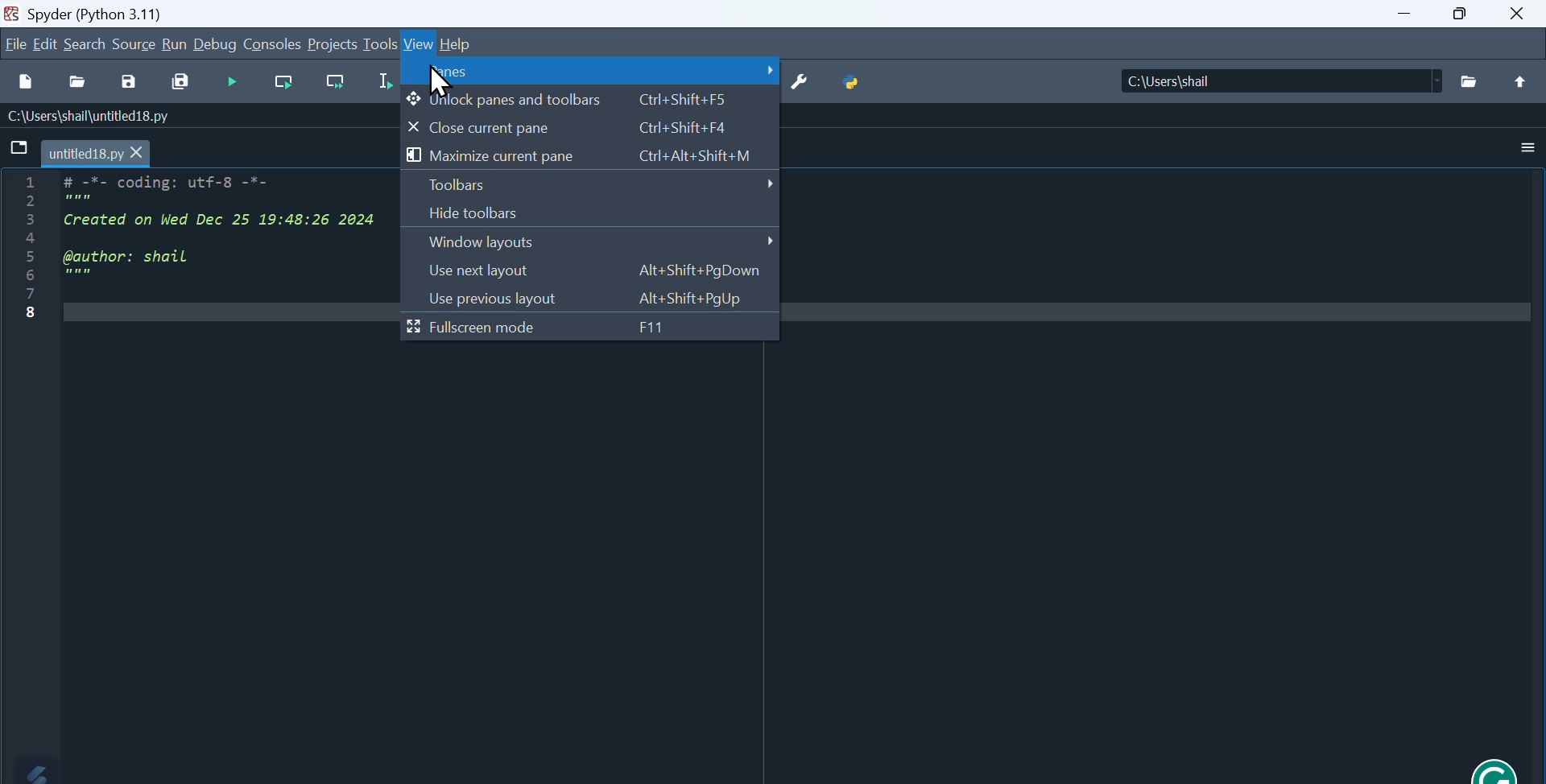 The image size is (1546, 784). What do you see at coordinates (508, 214) in the screenshot?
I see `Hide toolbars` at bounding box center [508, 214].